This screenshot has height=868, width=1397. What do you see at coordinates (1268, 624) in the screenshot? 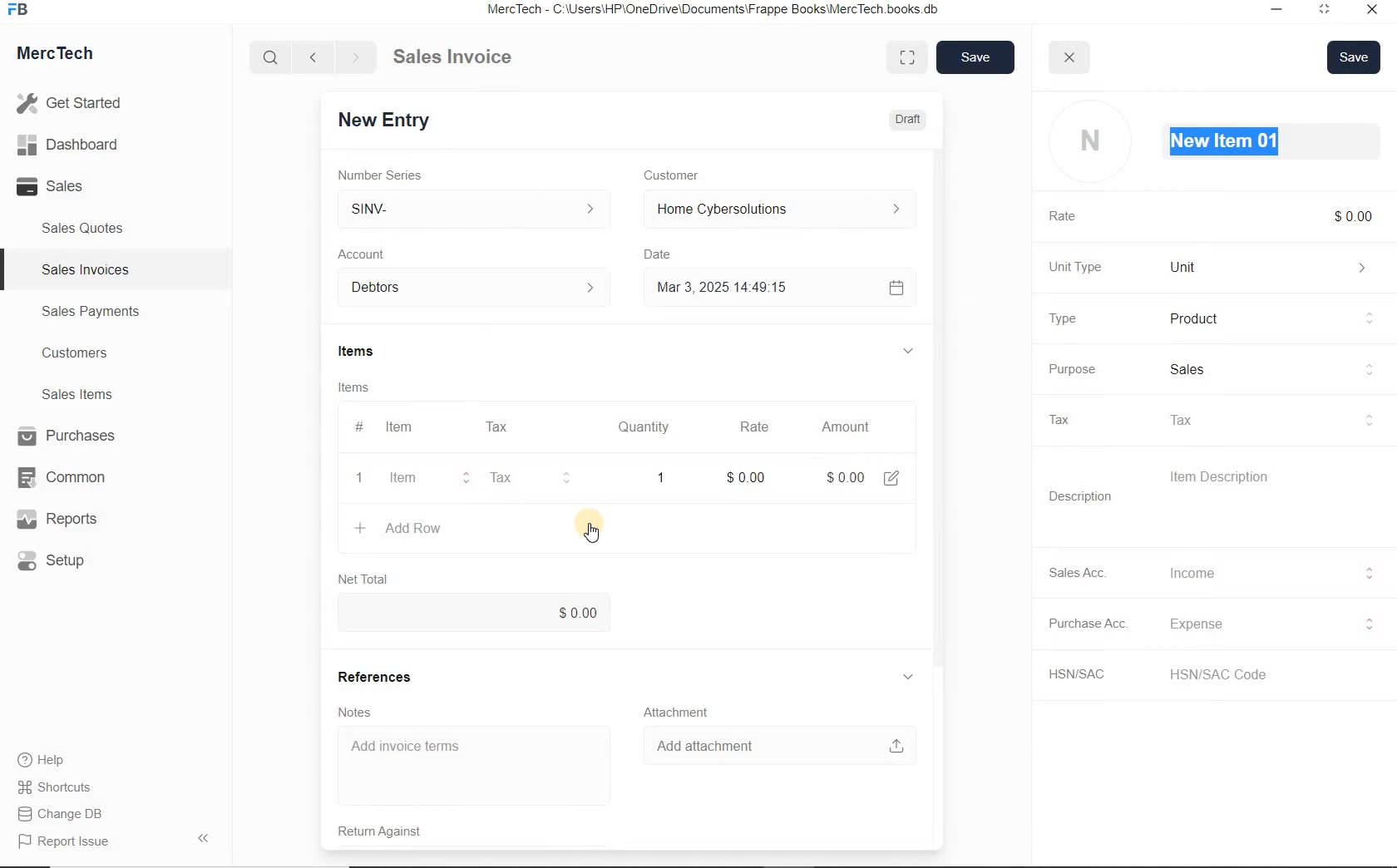
I see `Expense` at bounding box center [1268, 624].